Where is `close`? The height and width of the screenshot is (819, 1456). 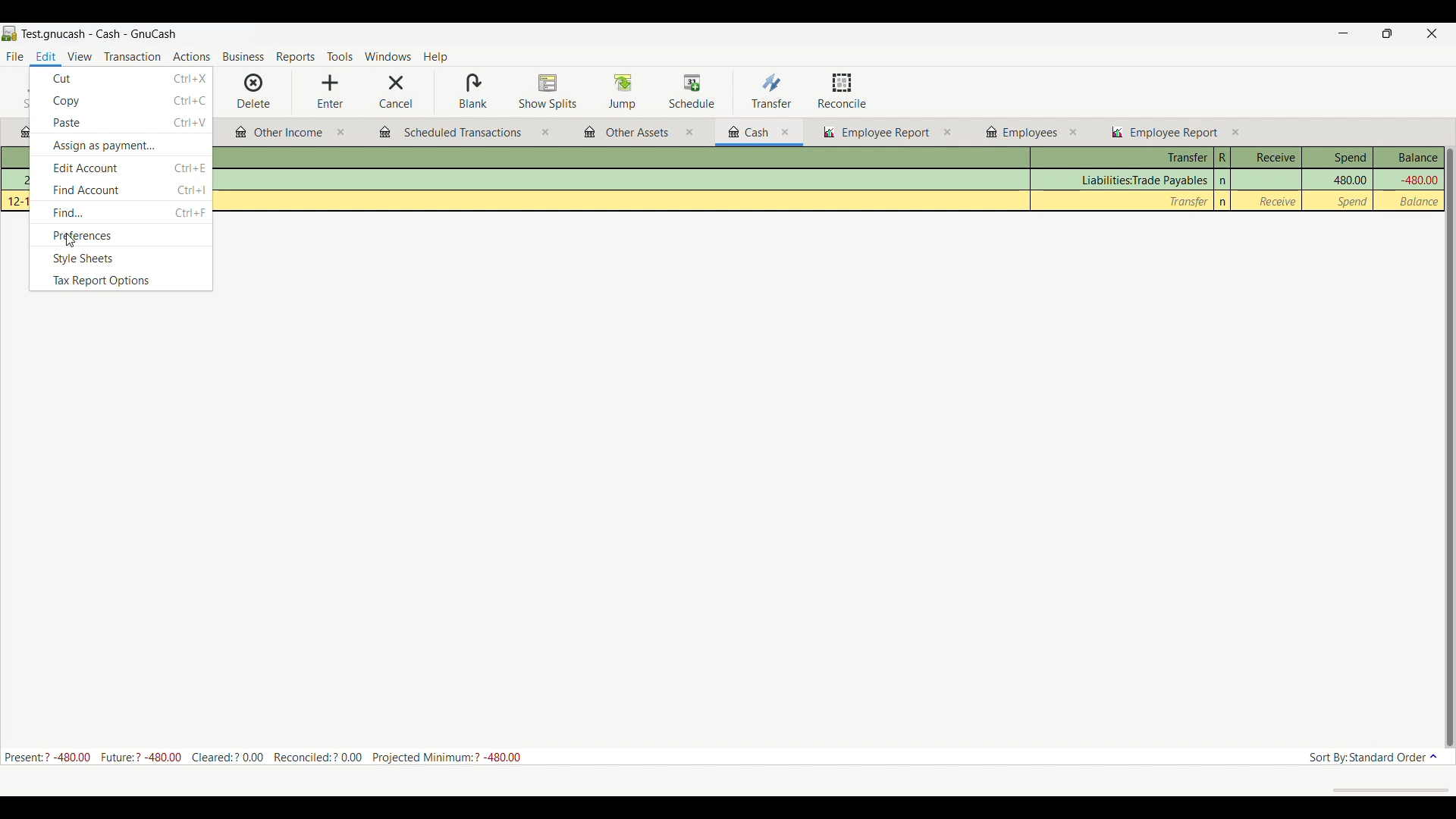 close is located at coordinates (689, 132).